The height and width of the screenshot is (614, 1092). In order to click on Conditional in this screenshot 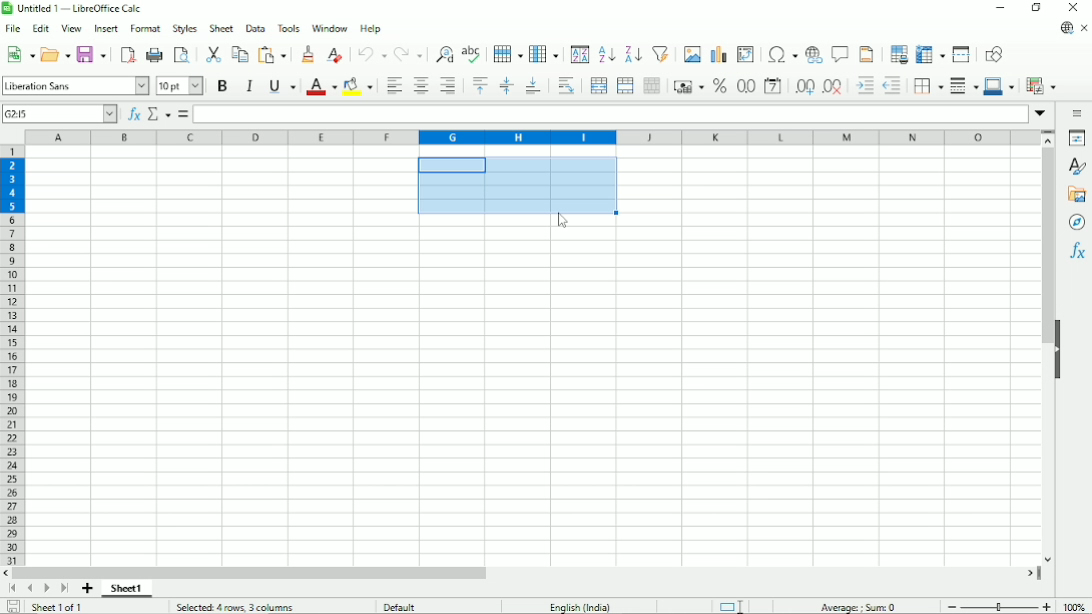, I will do `click(1042, 85)`.